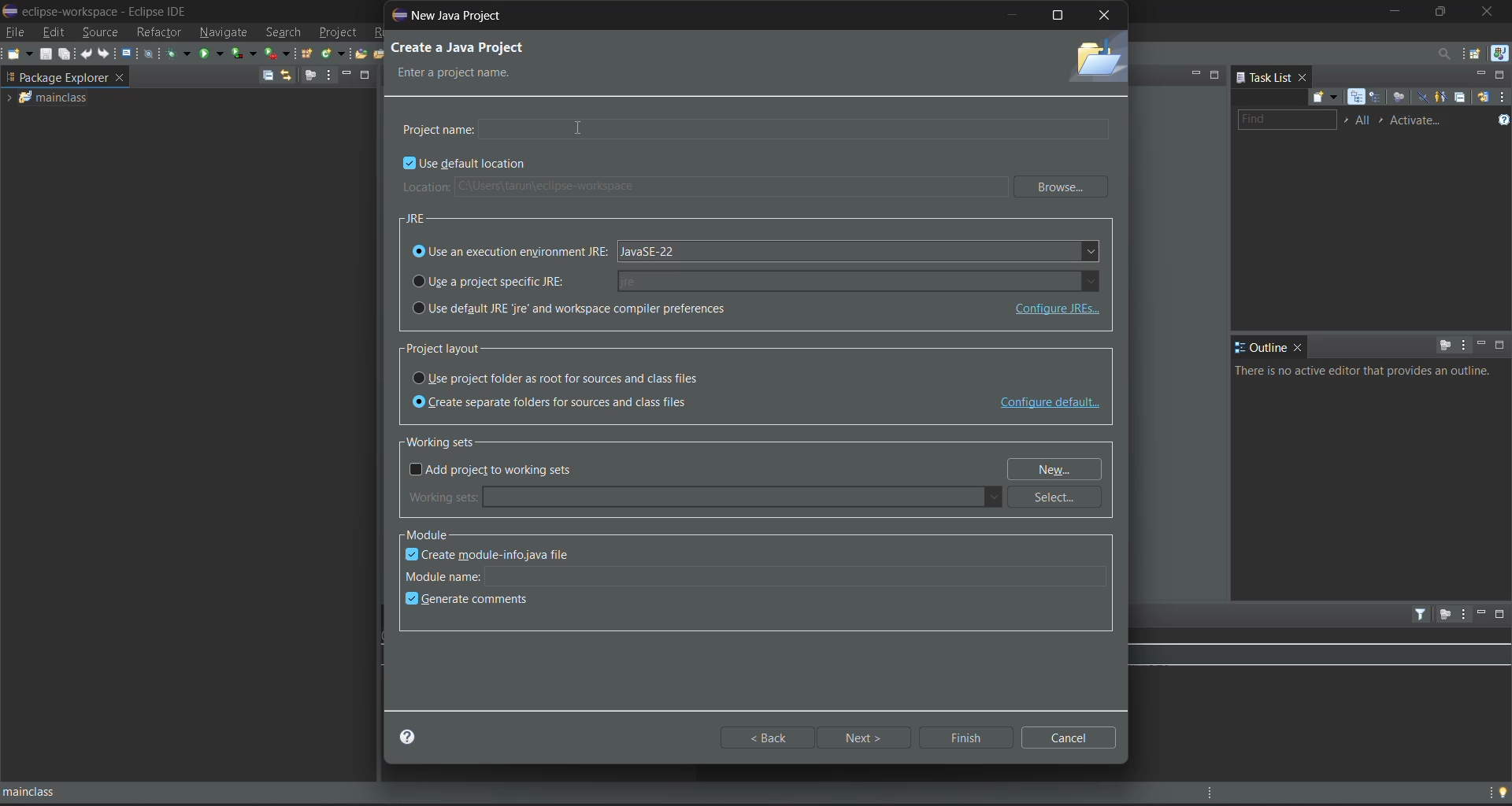  Describe the element at coordinates (500, 553) in the screenshot. I see `create module info` at that location.